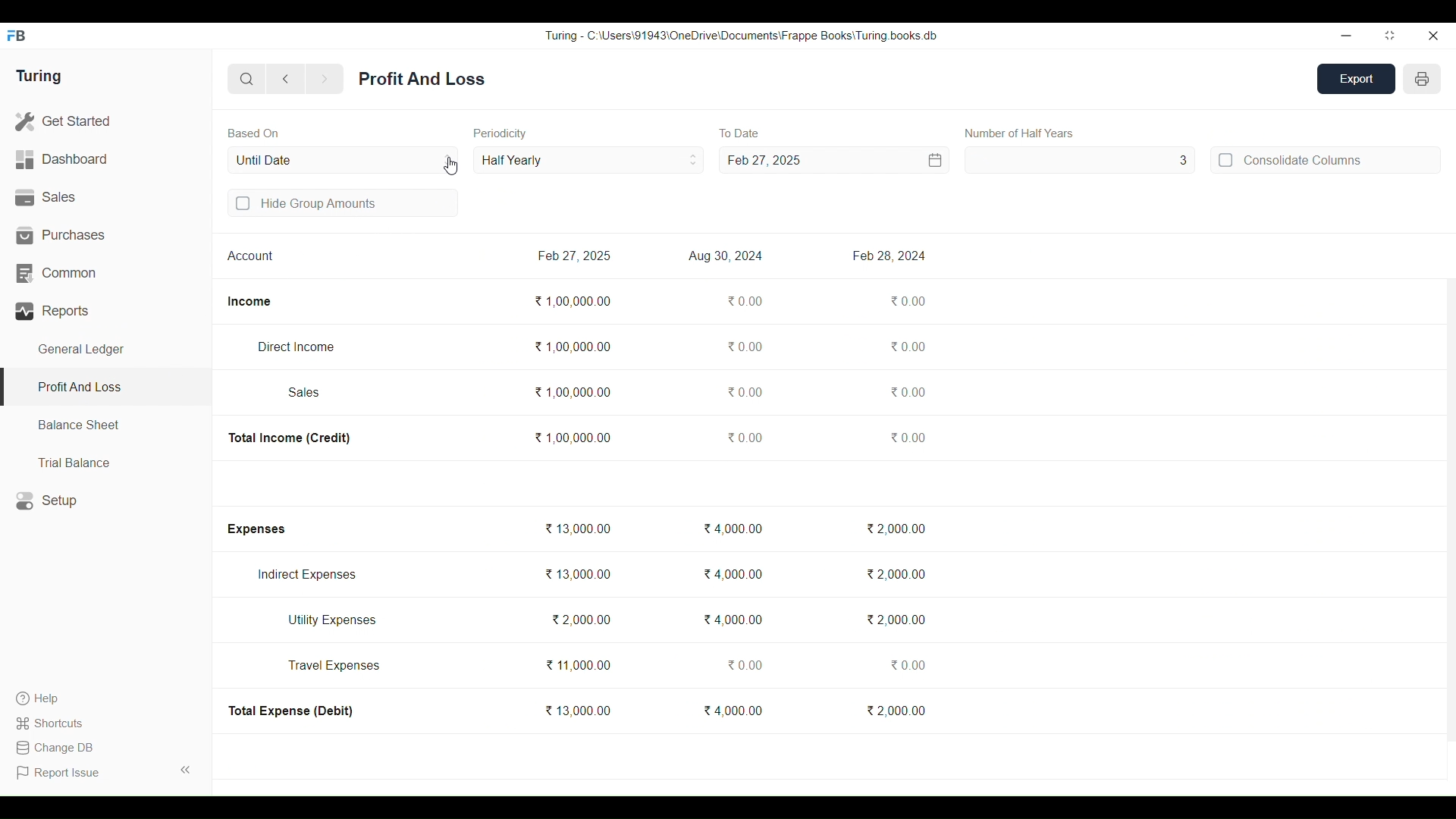 Image resolution: width=1456 pixels, height=819 pixels. I want to click on Common, so click(105, 274).